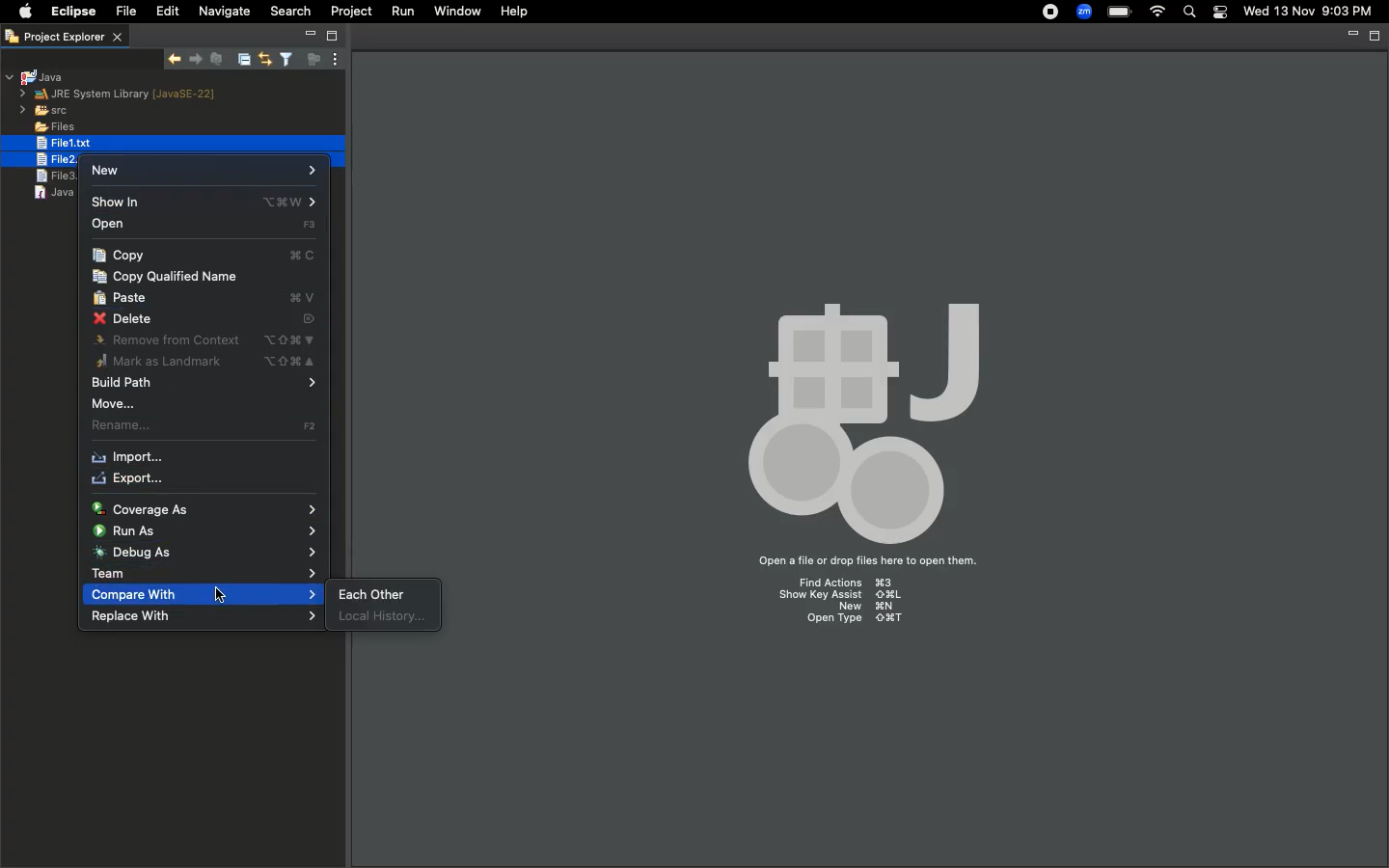 This screenshot has width=1389, height=868. Describe the element at coordinates (122, 95) in the screenshot. I see `JRE system library` at that location.